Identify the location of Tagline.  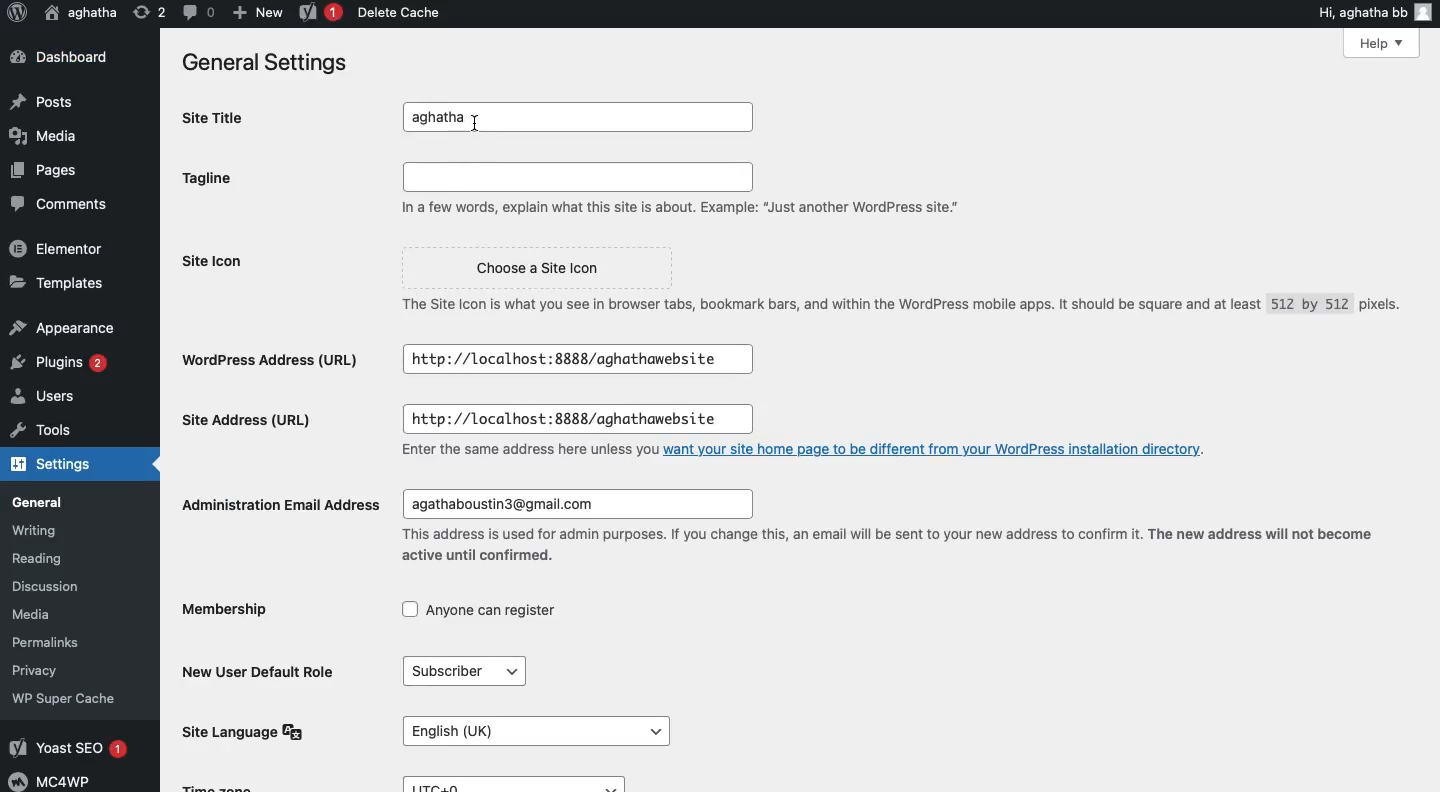
(222, 182).